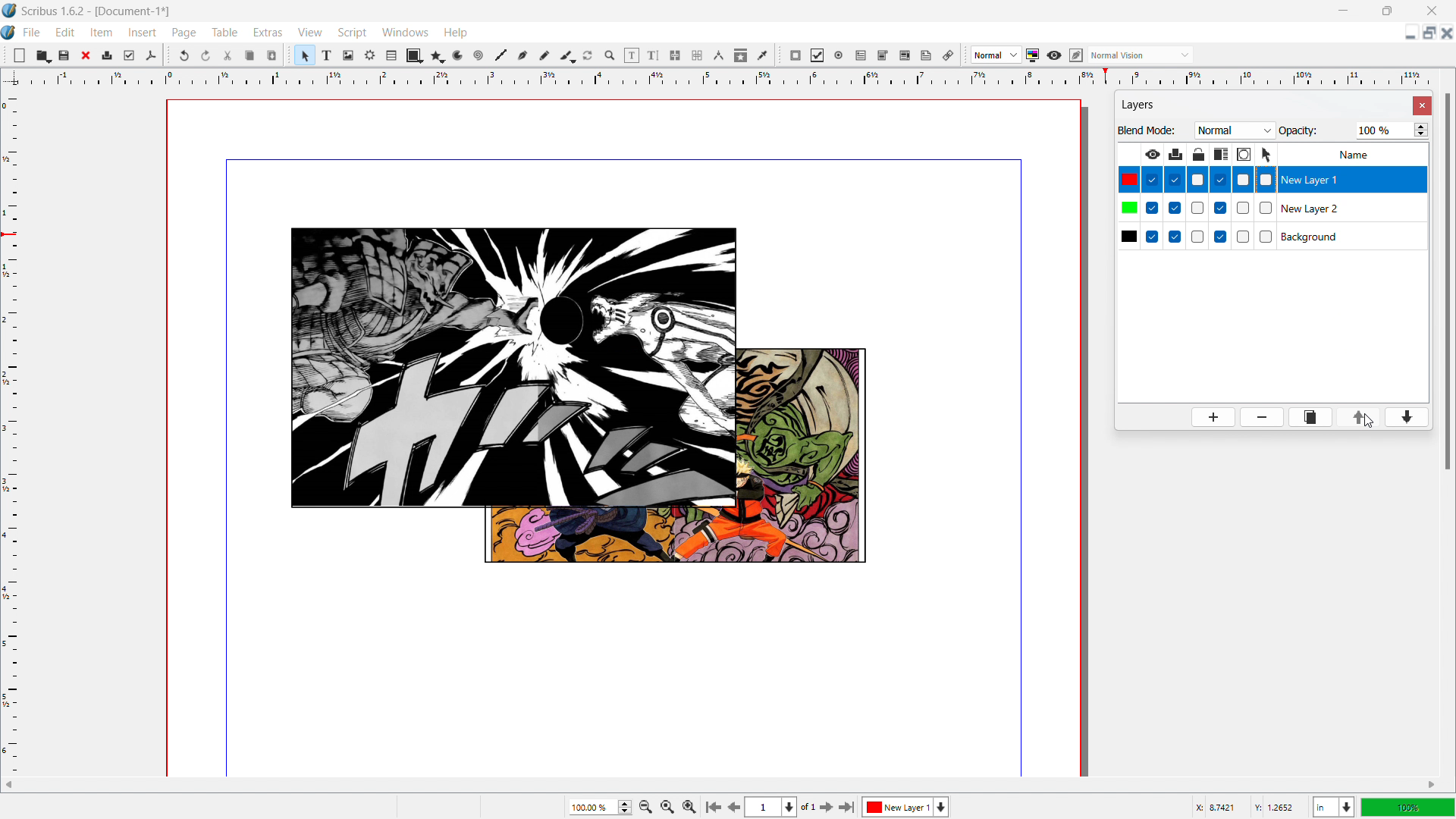  What do you see at coordinates (1076, 55) in the screenshot?
I see `edit in preview mode` at bounding box center [1076, 55].